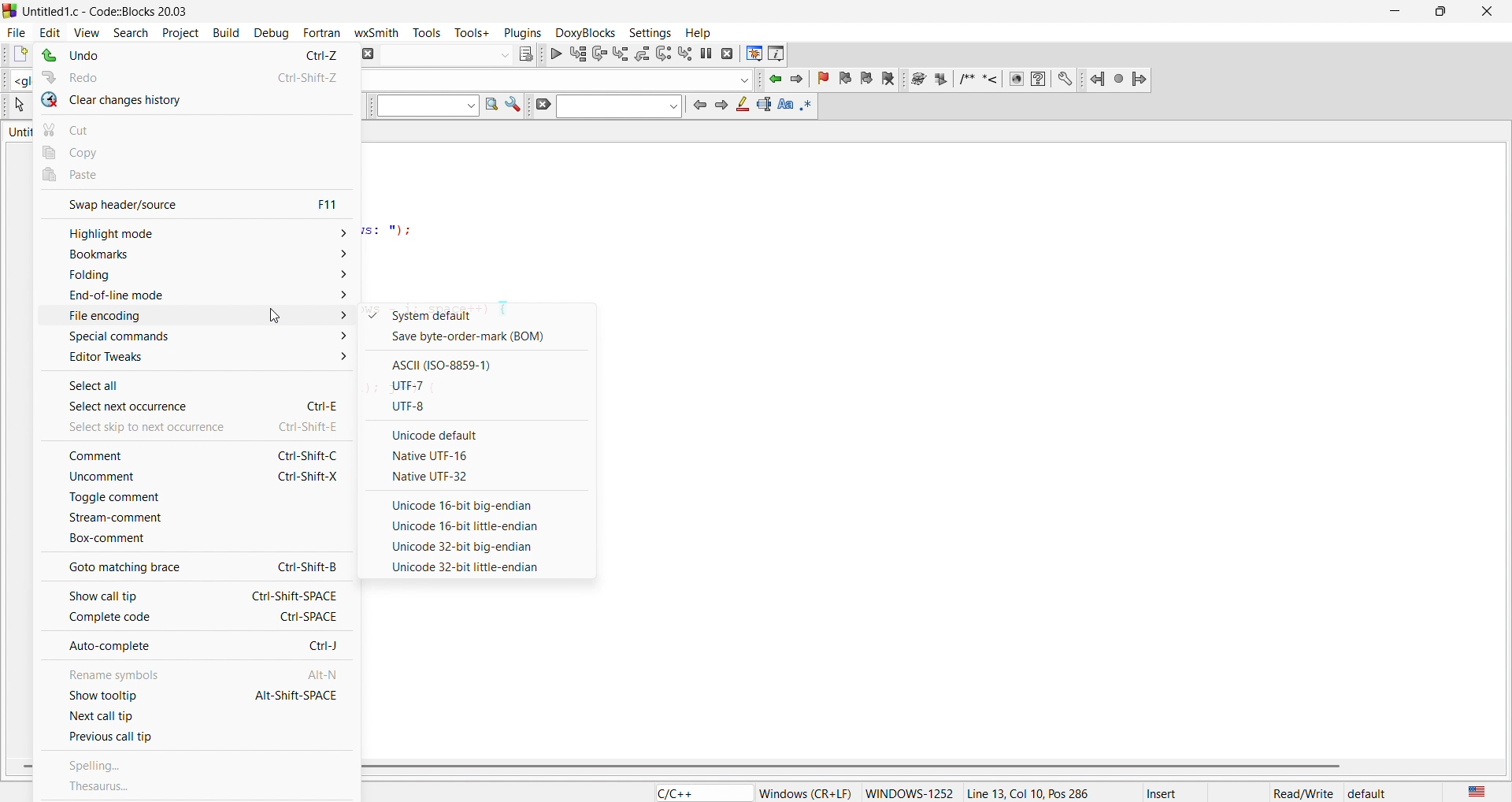 This screenshot has width=1512, height=802. Describe the element at coordinates (478, 478) in the screenshot. I see `Native UTF-32` at that location.